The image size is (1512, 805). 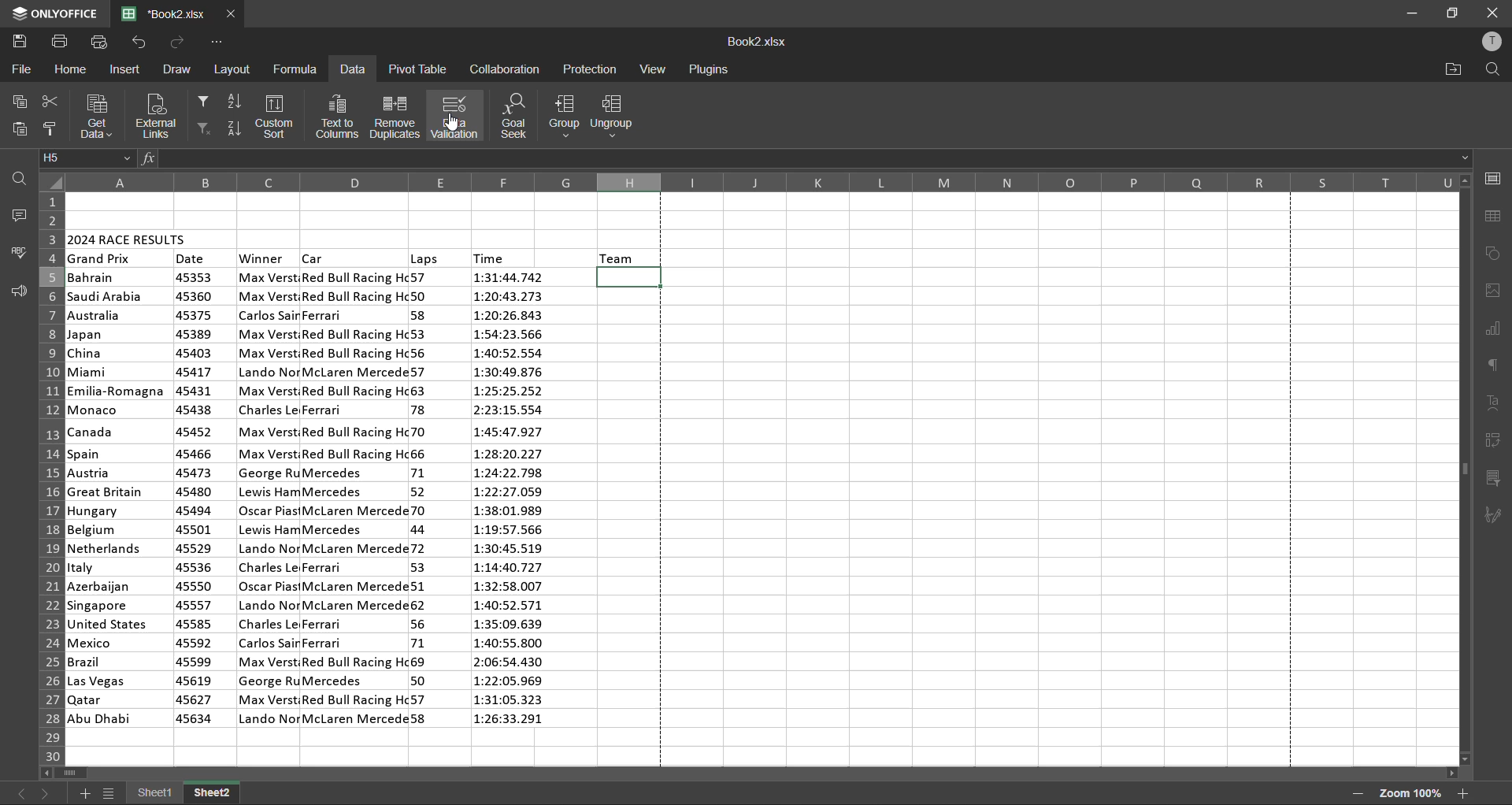 I want to click on date, so click(x=195, y=499).